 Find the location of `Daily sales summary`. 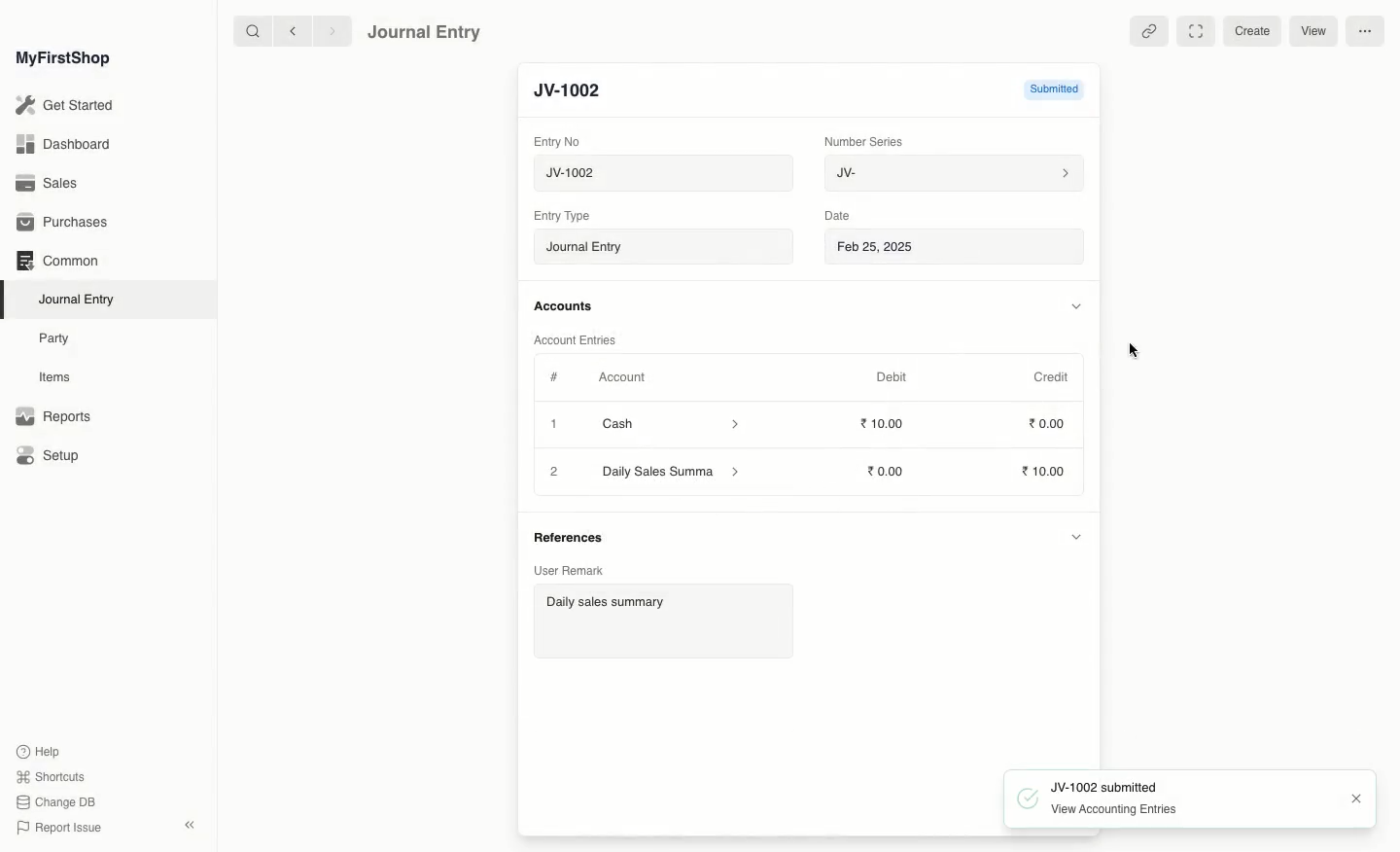

Daily sales summary is located at coordinates (661, 623).